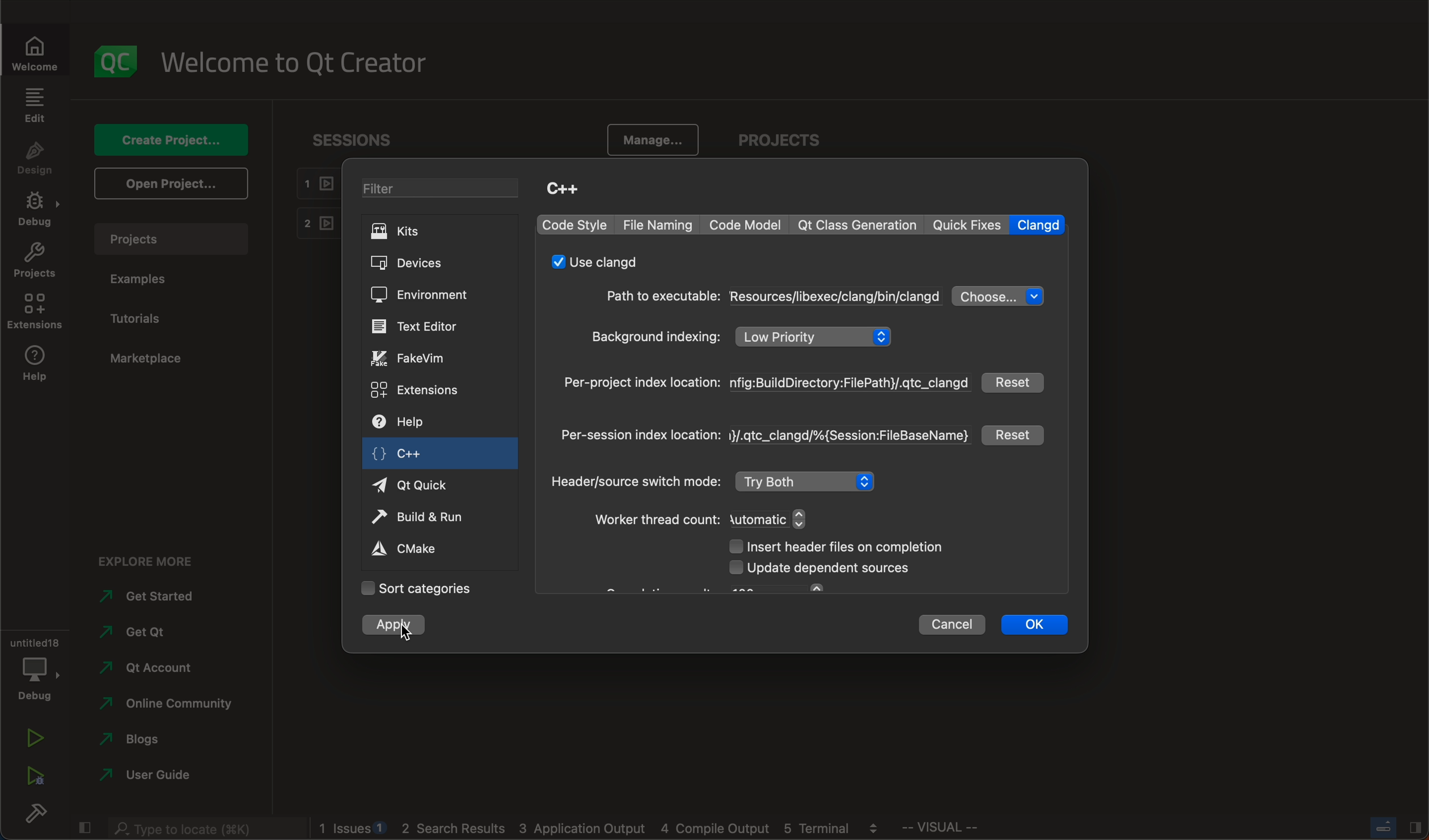 The width and height of the screenshot is (1429, 840). I want to click on FILTER, so click(438, 190).